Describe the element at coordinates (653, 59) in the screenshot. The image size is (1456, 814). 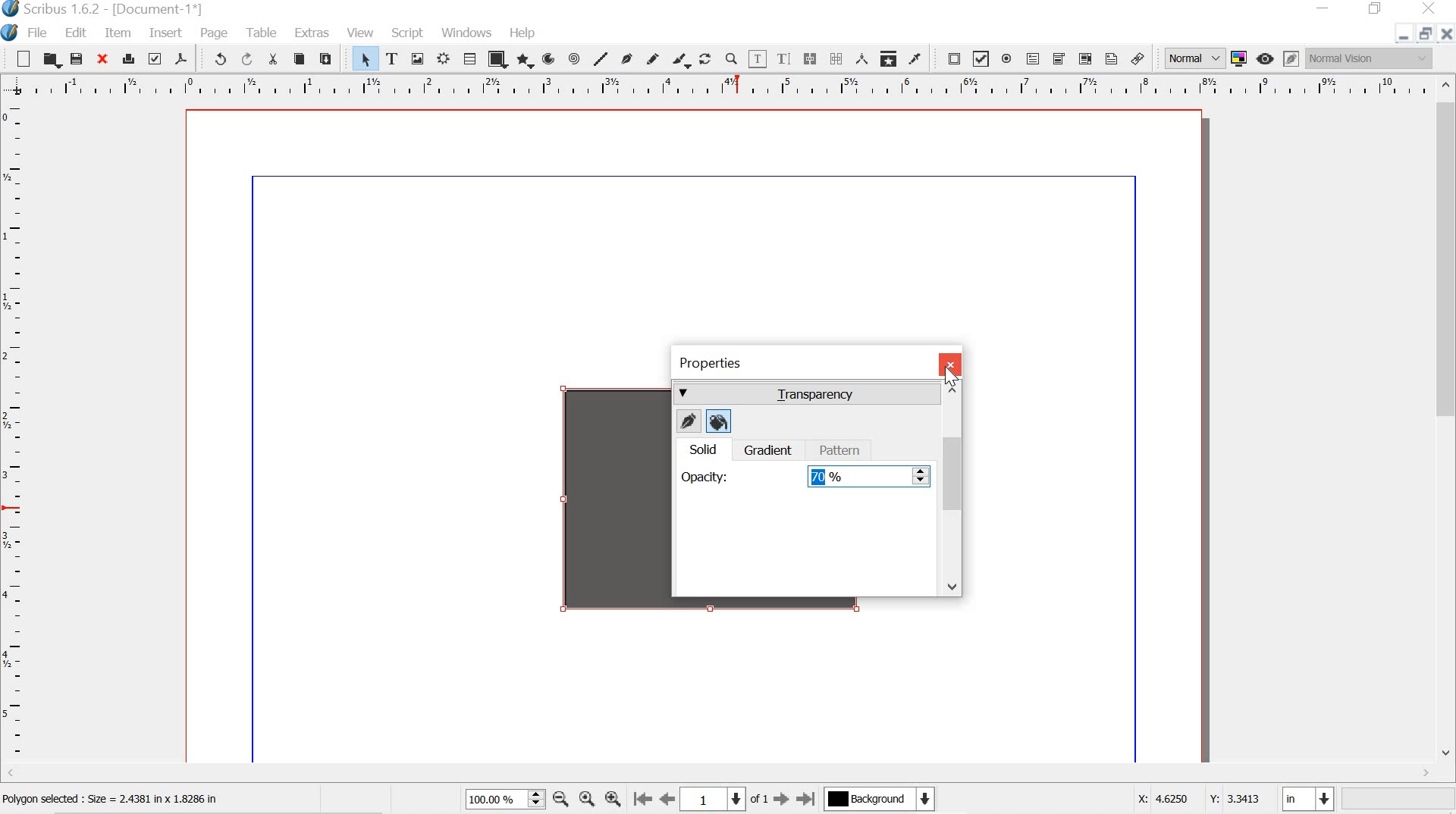
I see `freehand line` at that location.